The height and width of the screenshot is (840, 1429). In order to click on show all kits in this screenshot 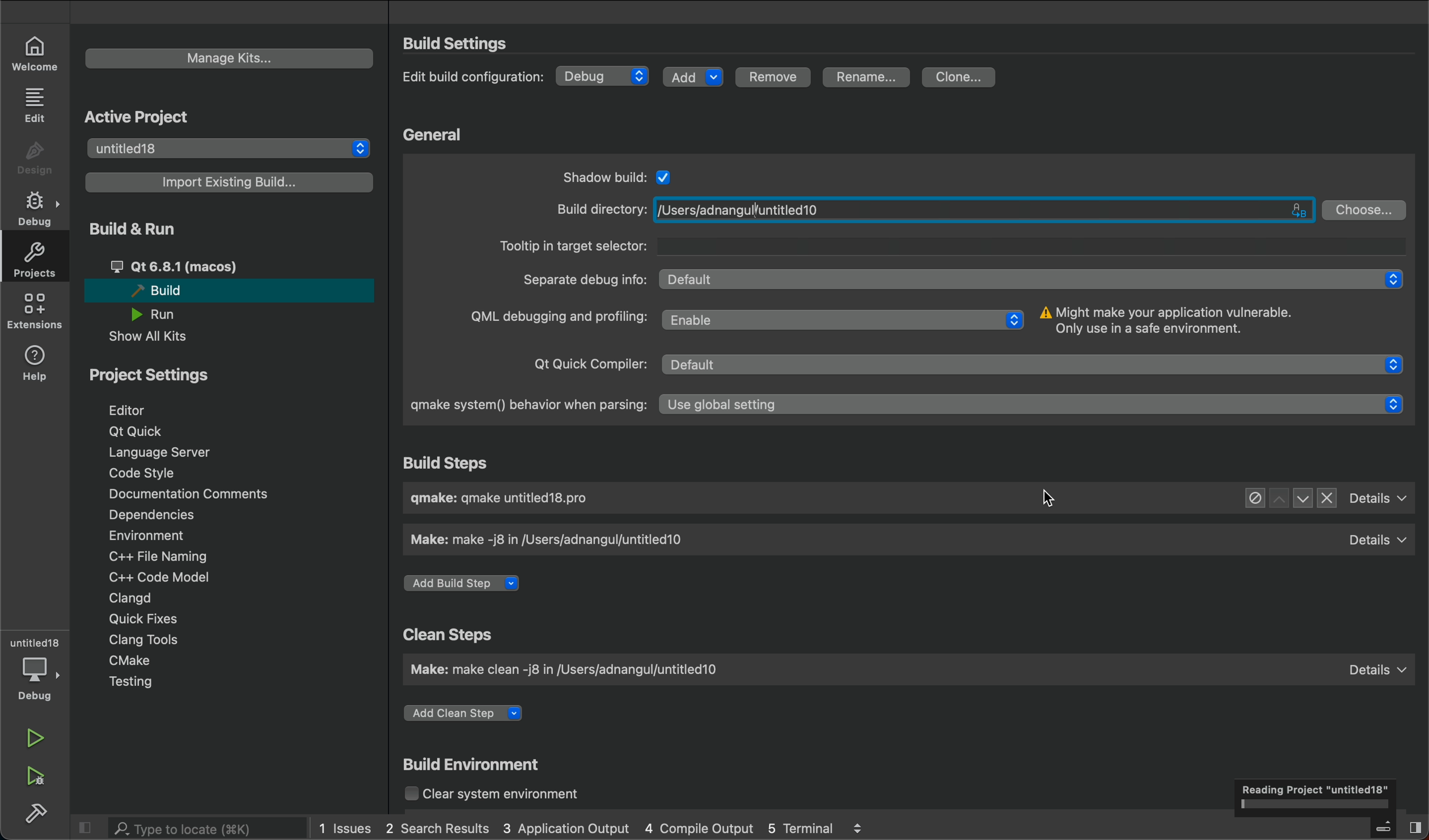, I will do `click(147, 338)`.